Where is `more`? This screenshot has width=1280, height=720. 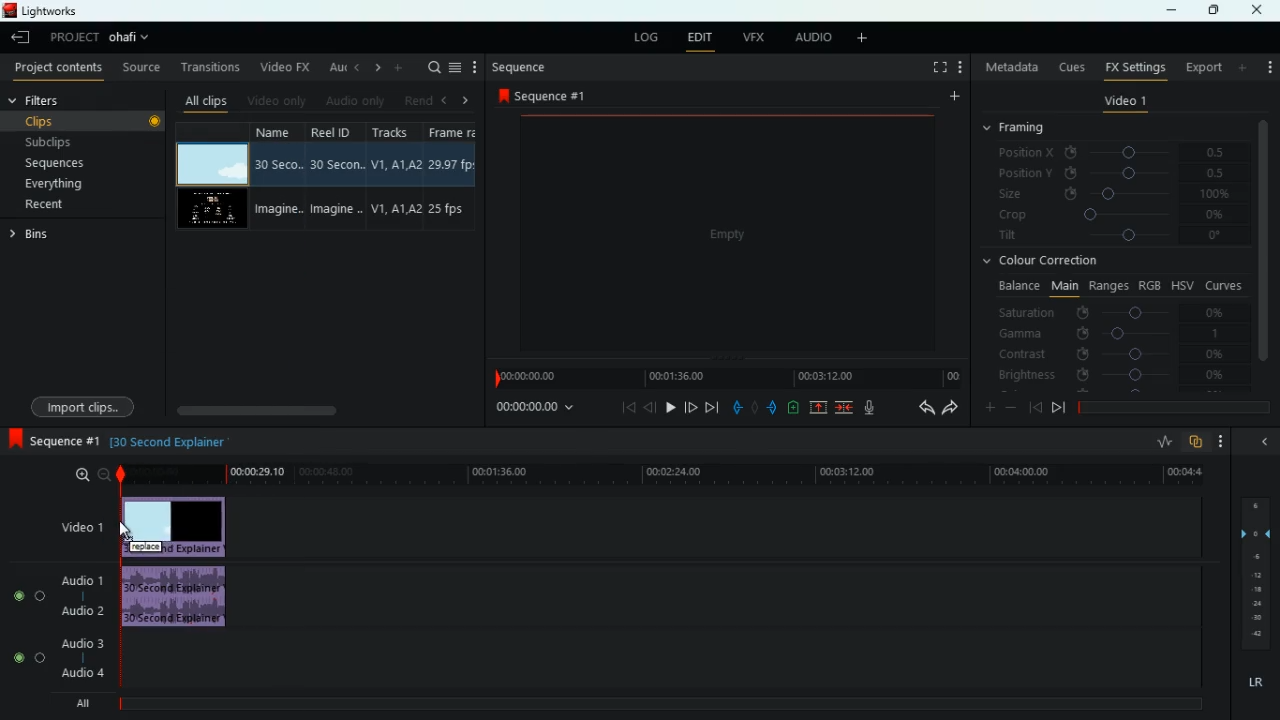
more is located at coordinates (952, 97).